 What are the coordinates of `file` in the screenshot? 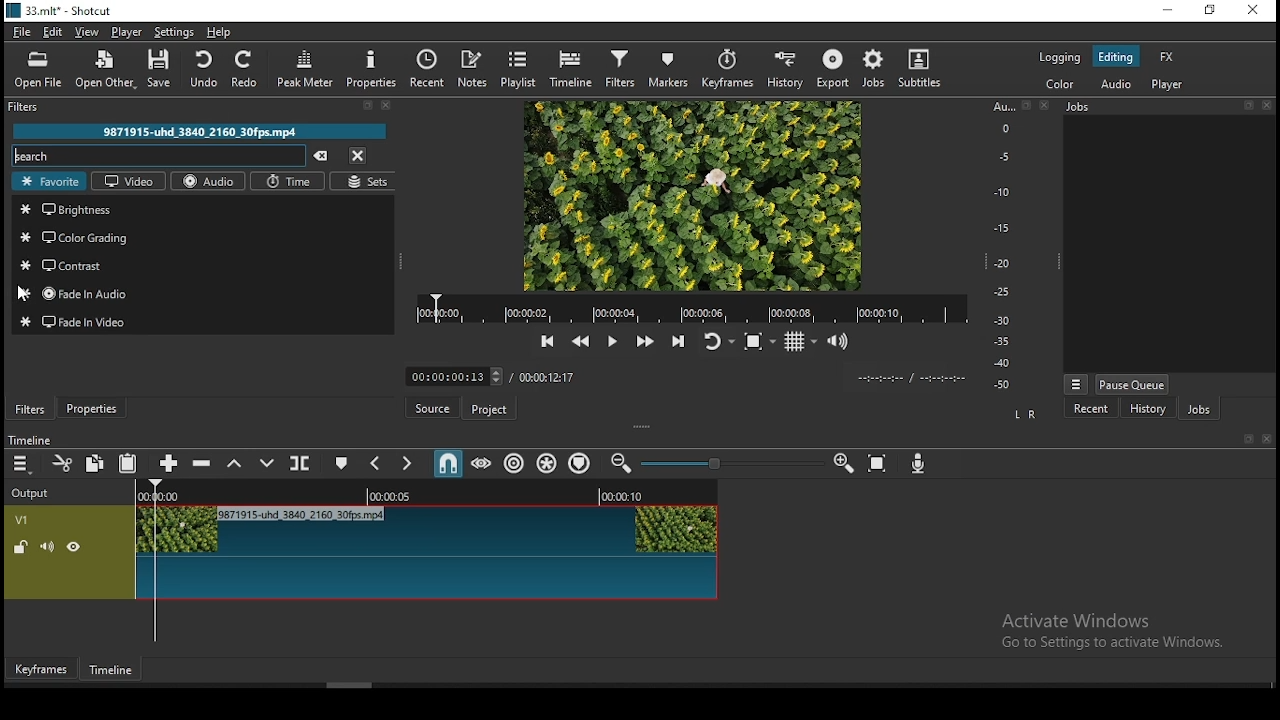 It's located at (19, 31).